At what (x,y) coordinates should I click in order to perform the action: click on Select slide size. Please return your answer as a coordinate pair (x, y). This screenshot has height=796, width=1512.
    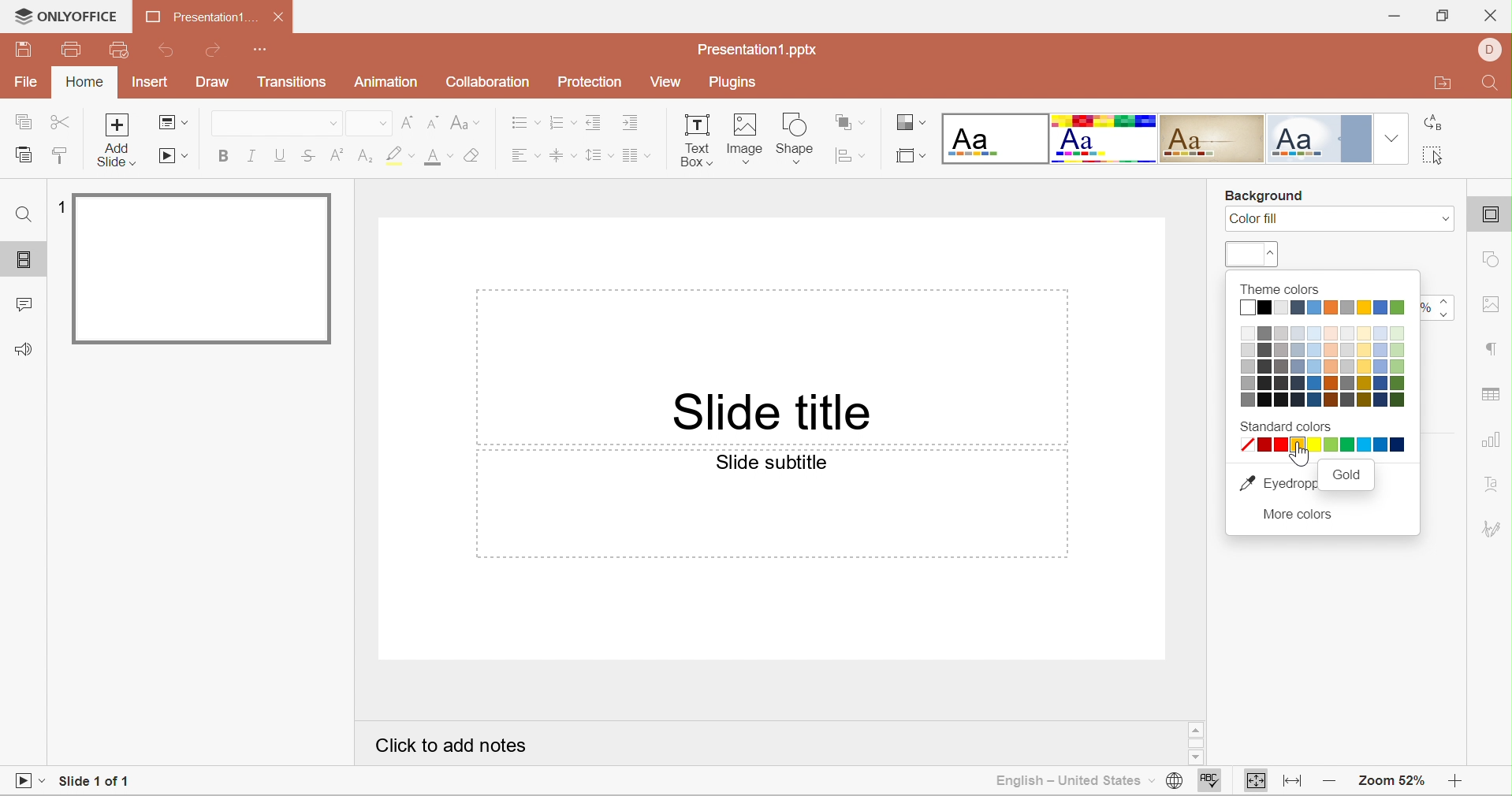
    Looking at the image, I should click on (911, 156).